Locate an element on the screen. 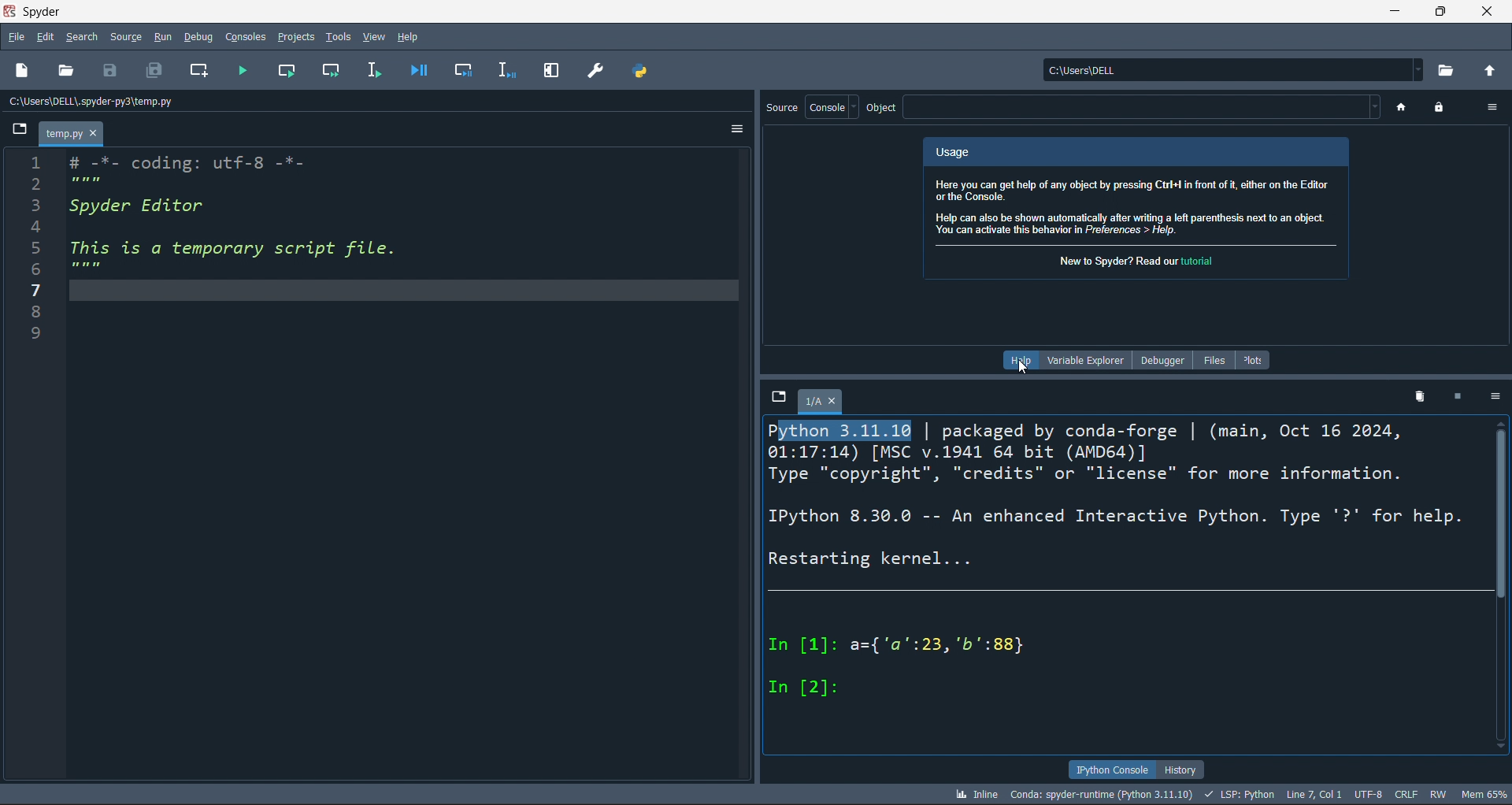 This screenshot has width=1512, height=805. debug file is located at coordinates (417, 72).